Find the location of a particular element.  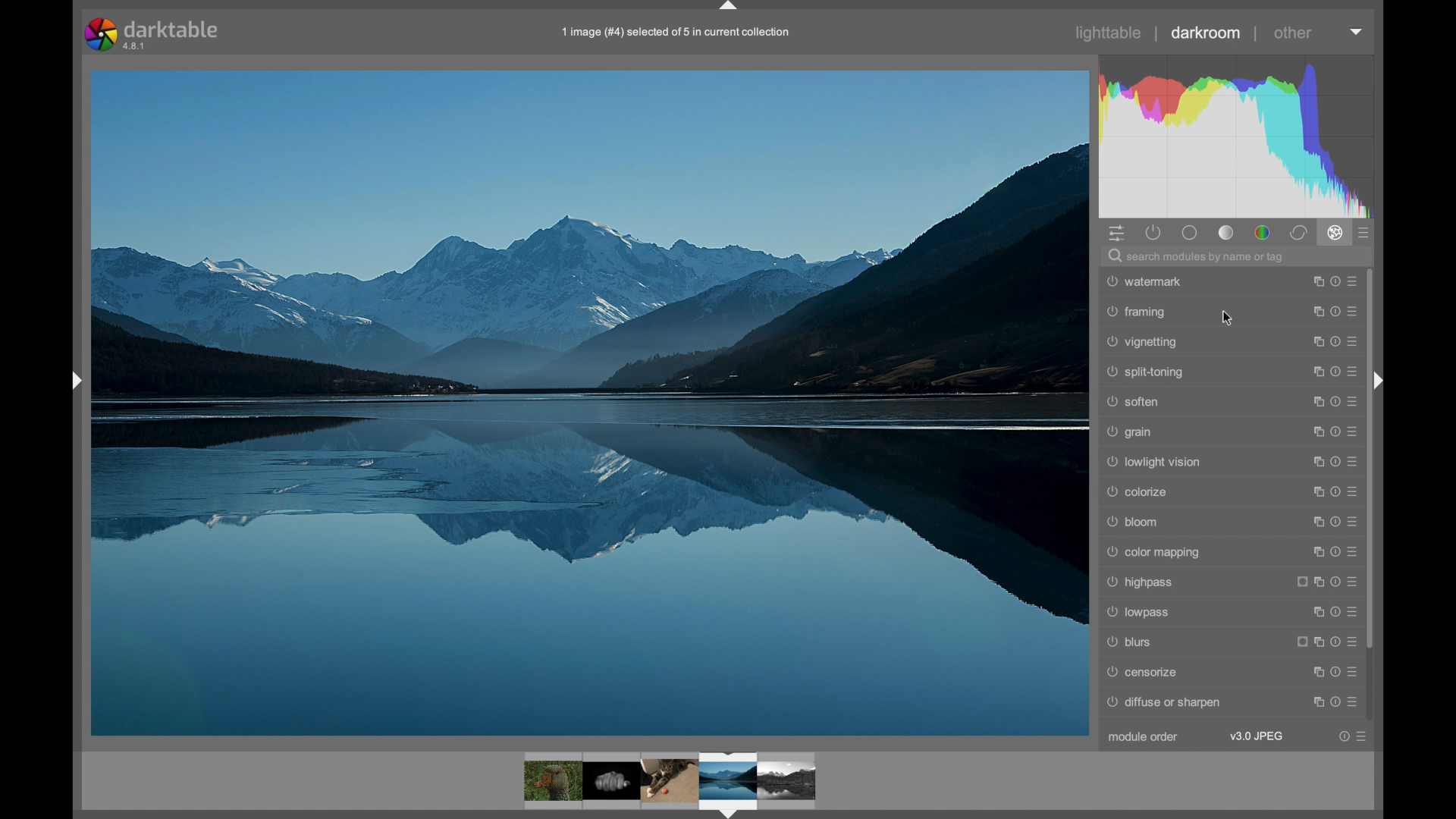

split-toning is located at coordinates (1146, 373).